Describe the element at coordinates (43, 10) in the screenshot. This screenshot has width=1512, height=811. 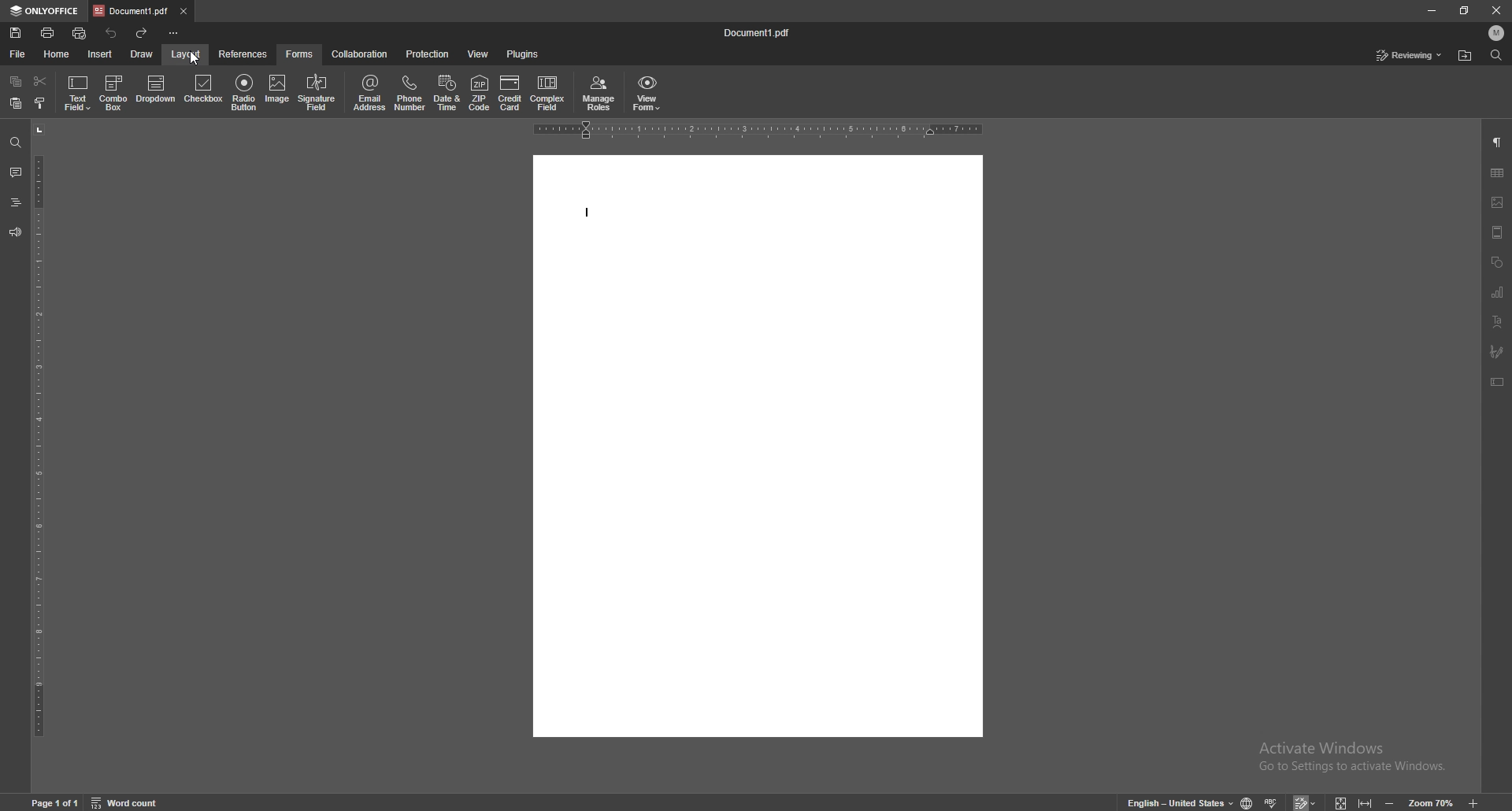
I see `onlyoffice` at that location.